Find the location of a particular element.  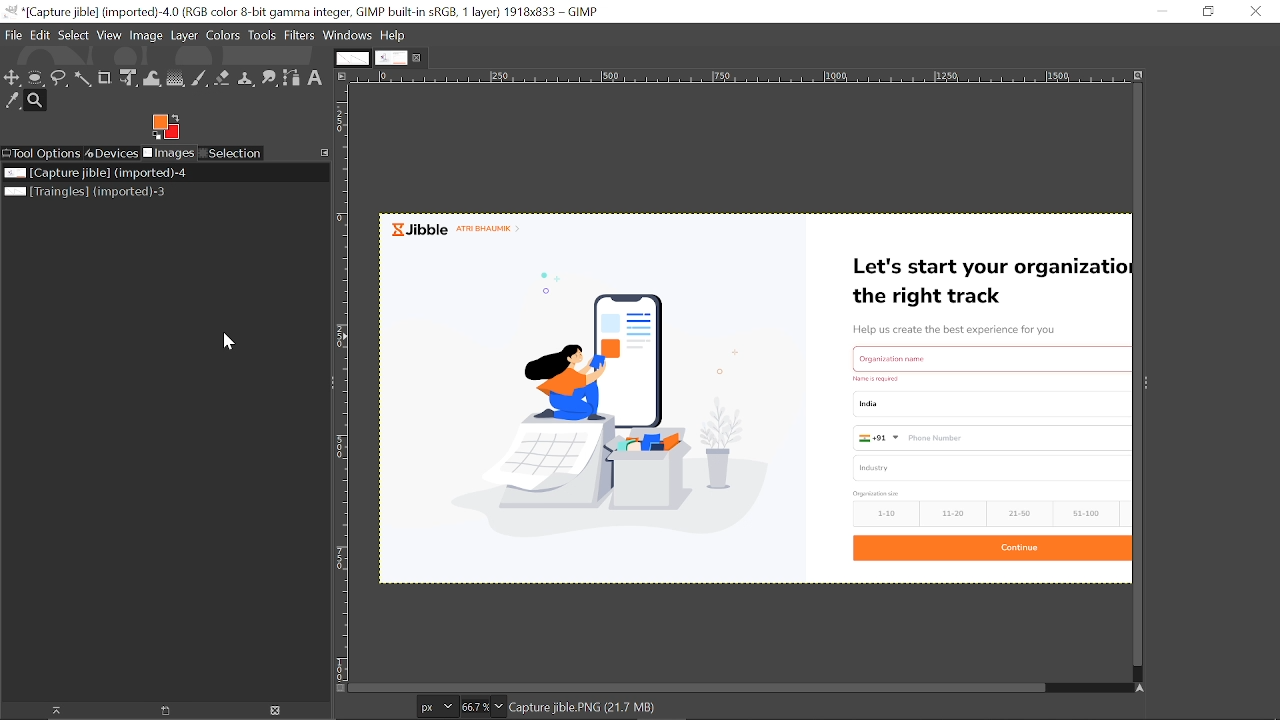

Image is located at coordinates (147, 36).